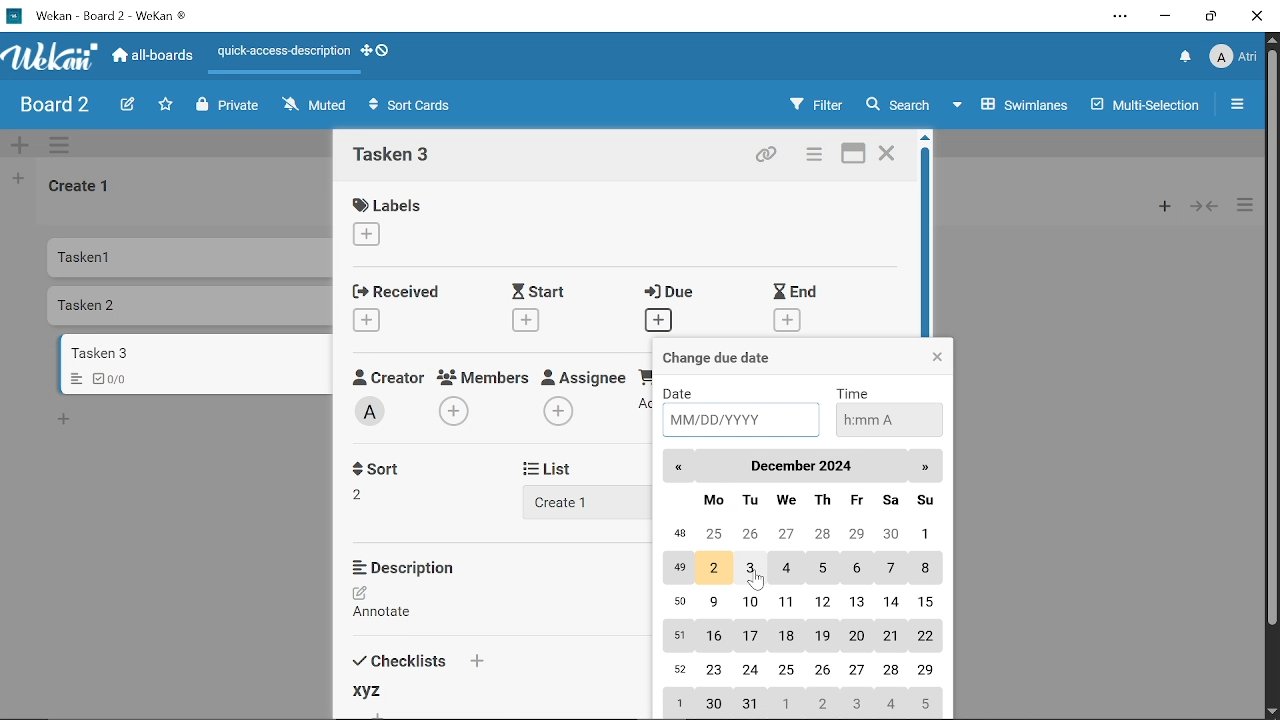 The height and width of the screenshot is (720, 1280). I want to click on All boards, so click(155, 57).